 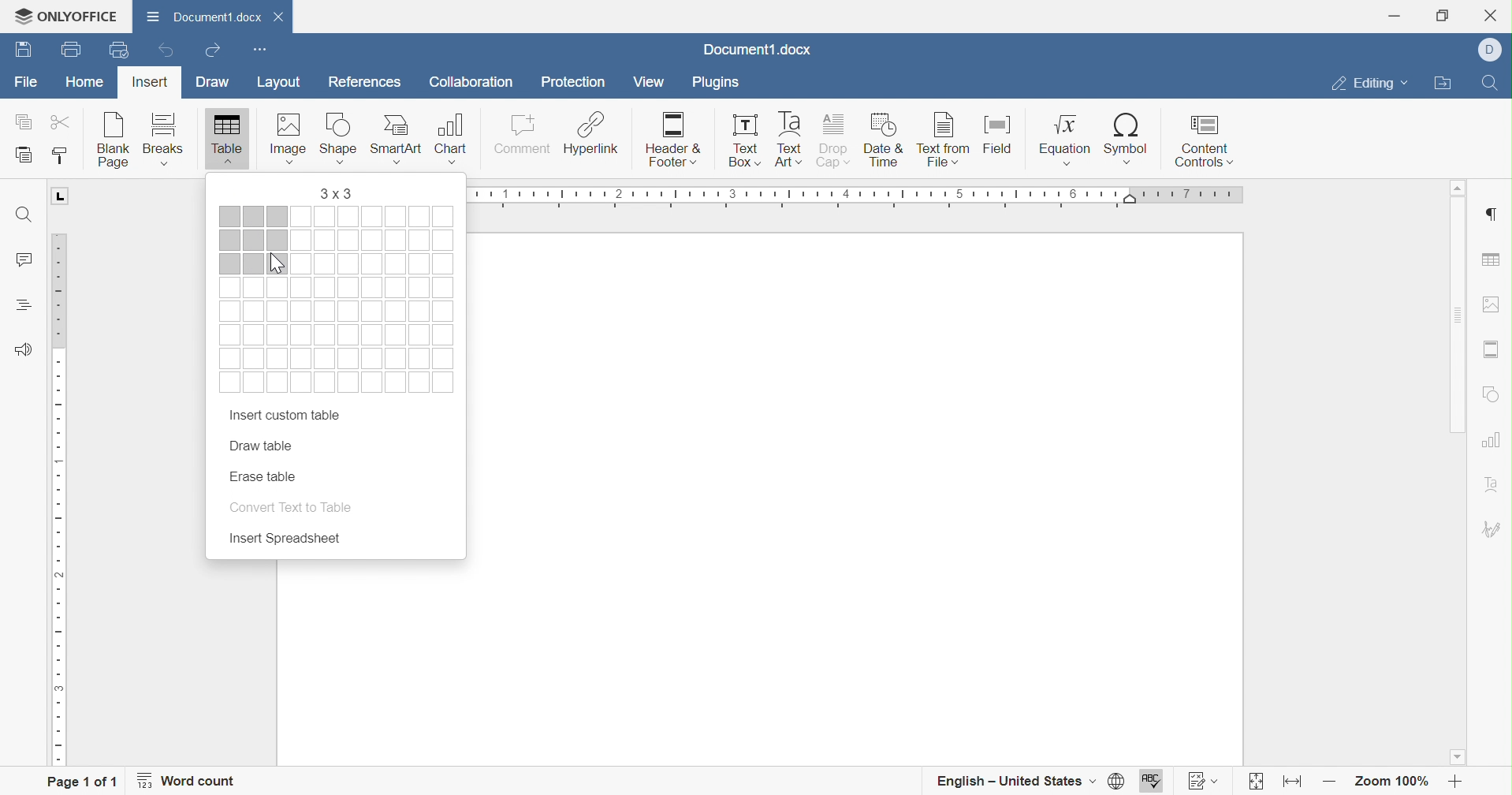 What do you see at coordinates (453, 139) in the screenshot?
I see `Chart` at bounding box center [453, 139].